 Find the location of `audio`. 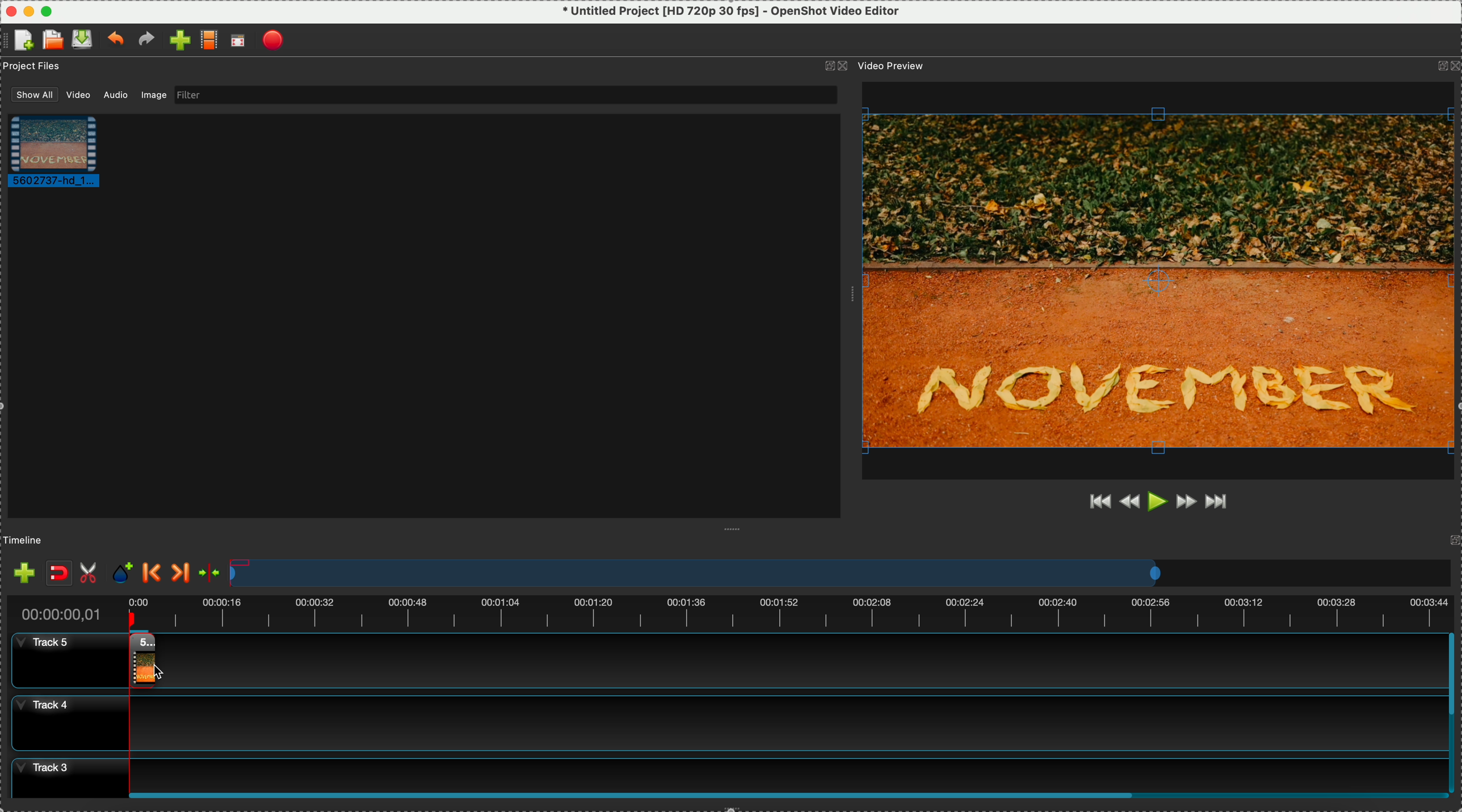

audio is located at coordinates (113, 96).